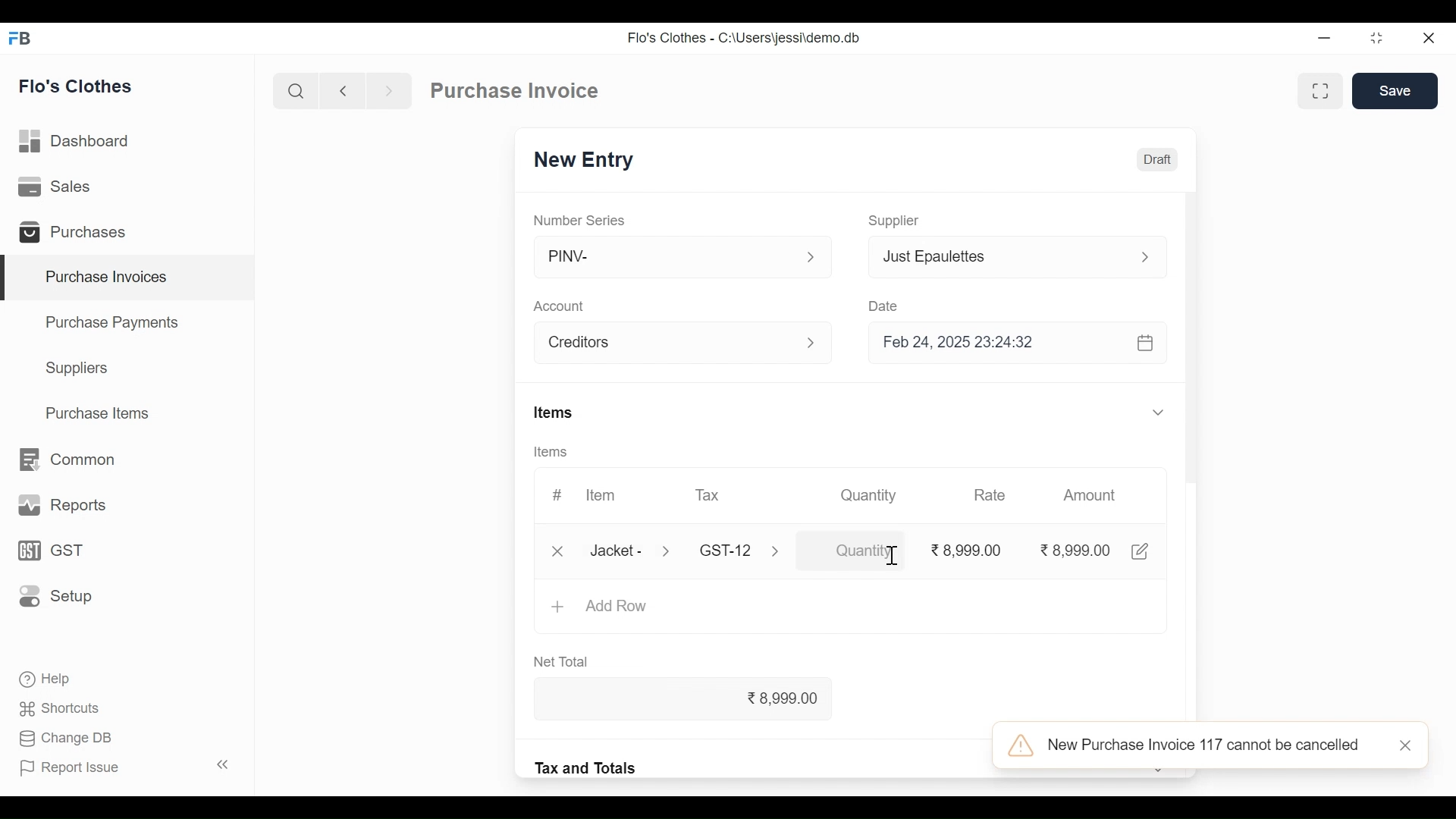 The height and width of the screenshot is (819, 1456). What do you see at coordinates (601, 494) in the screenshot?
I see `Item` at bounding box center [601, 494].